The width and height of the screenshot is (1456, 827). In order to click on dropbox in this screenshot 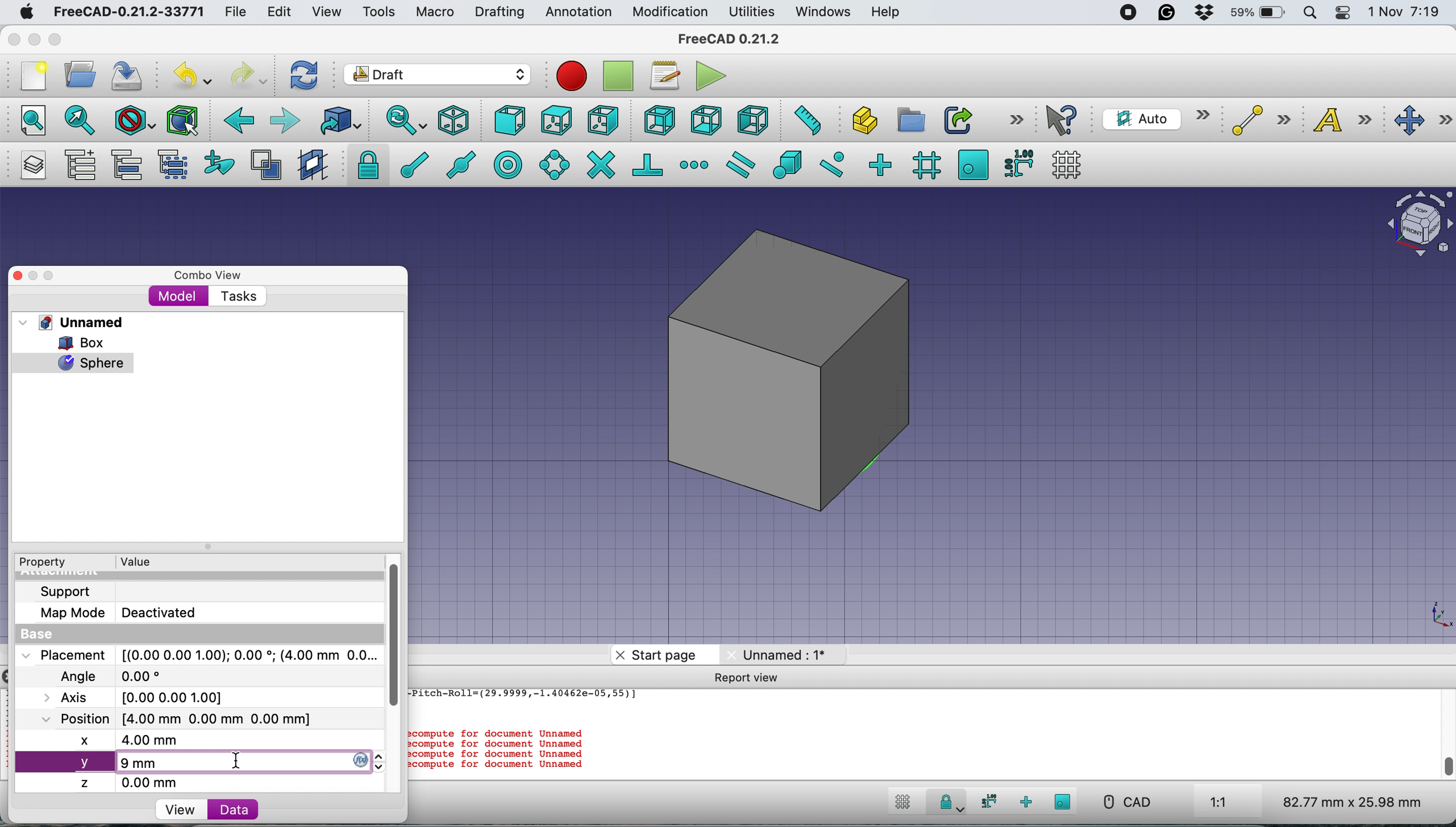, I will do `click(1199, 14)`.